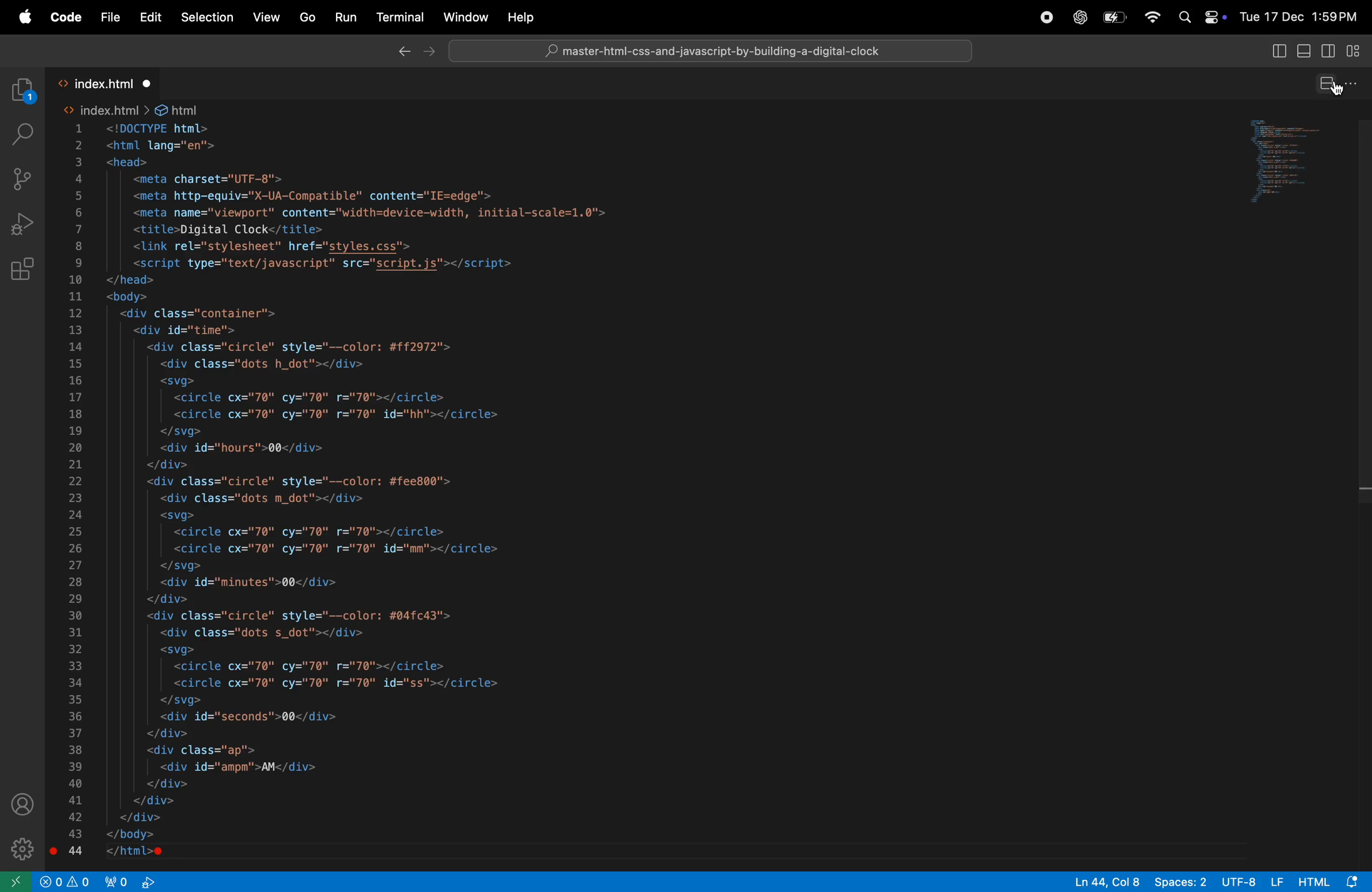 The width and height of the screenshot is (1372, 892). Describe the element at coordinates (1331, 881) in the screenshot. I see `html alert` at that location.